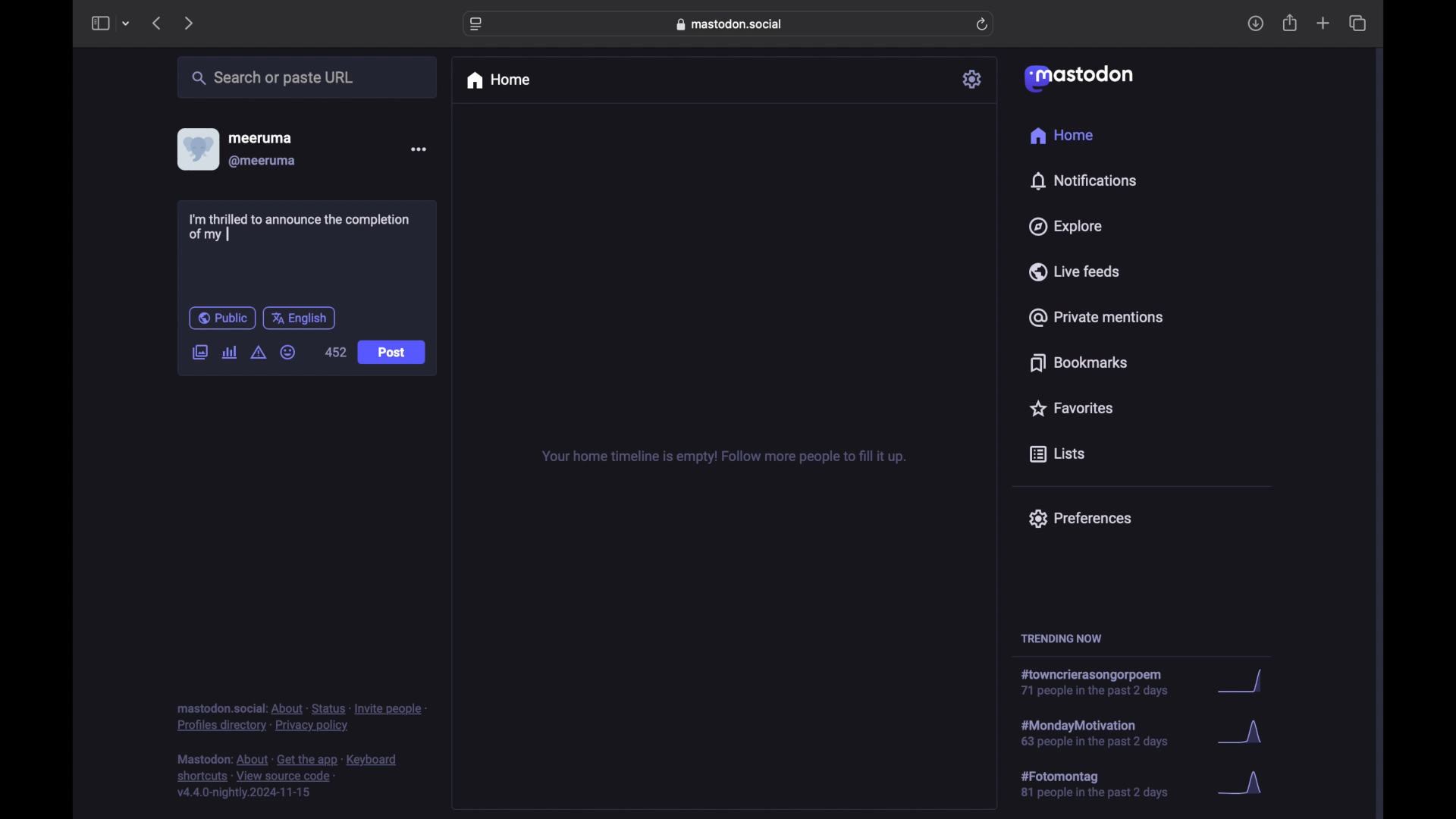 Image resolution: width=1456 pixels, height=819 pixels. I want to click on hashtag trend, so click(1105, 783).